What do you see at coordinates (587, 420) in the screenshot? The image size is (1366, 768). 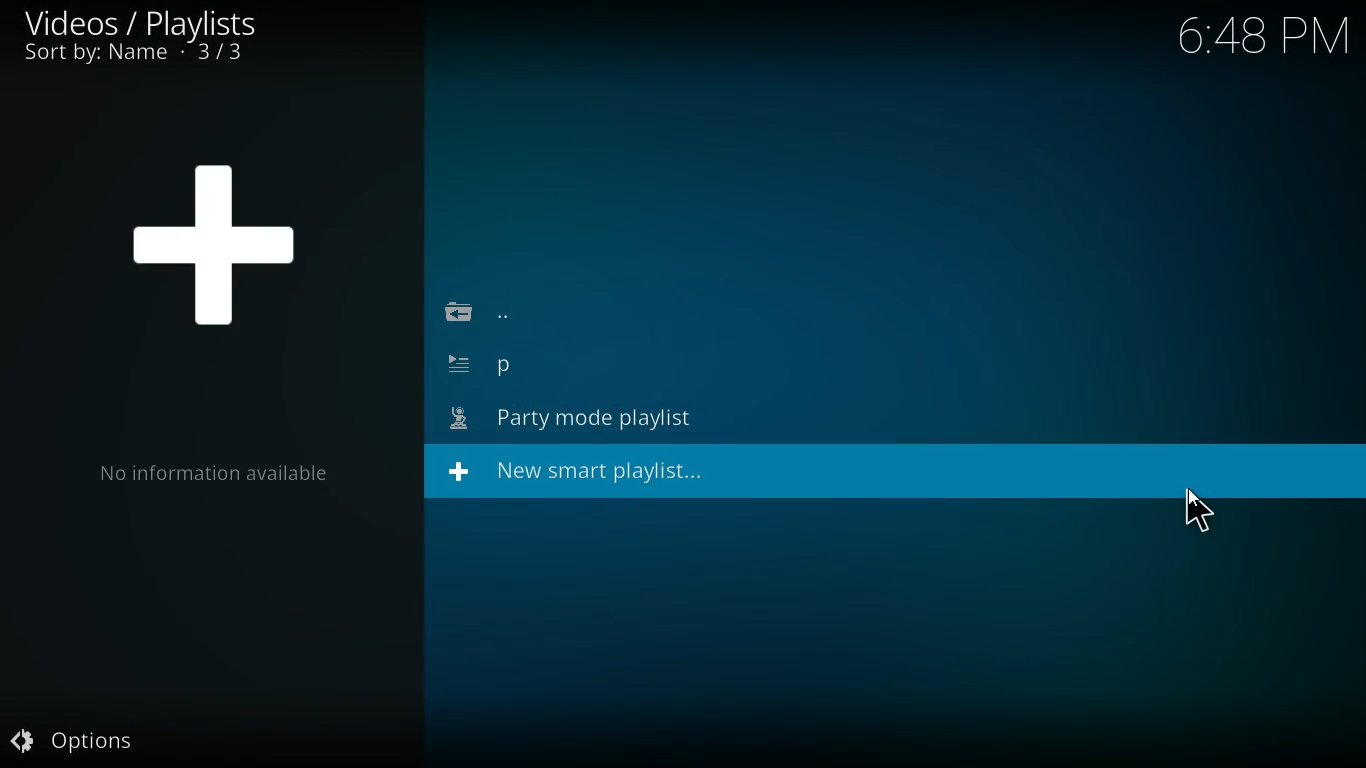 I see `party mode playlist` at bounding box center [587, 420].